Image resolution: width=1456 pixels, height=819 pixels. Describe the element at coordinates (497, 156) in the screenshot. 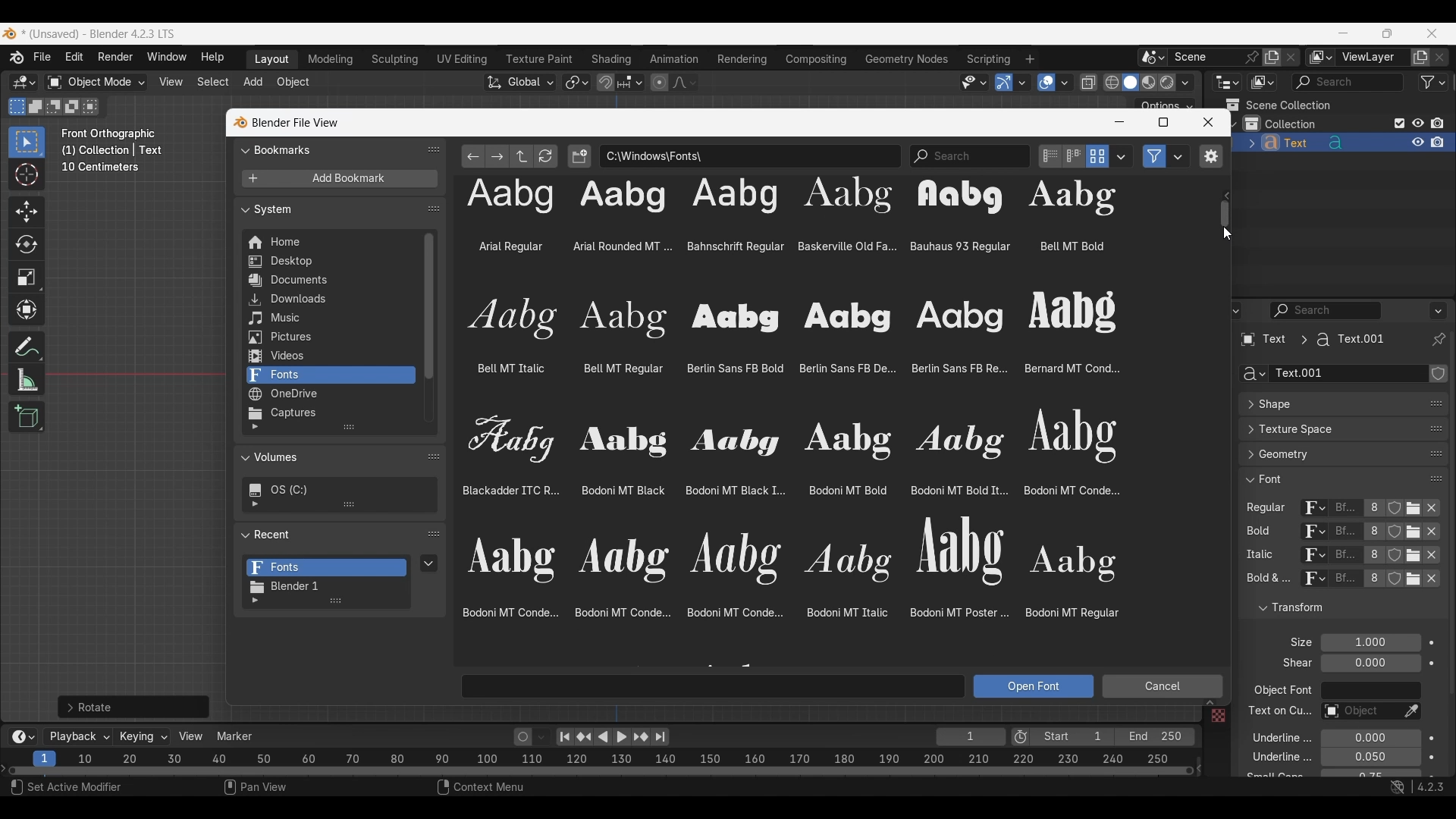

I see `Next folder` at that location.